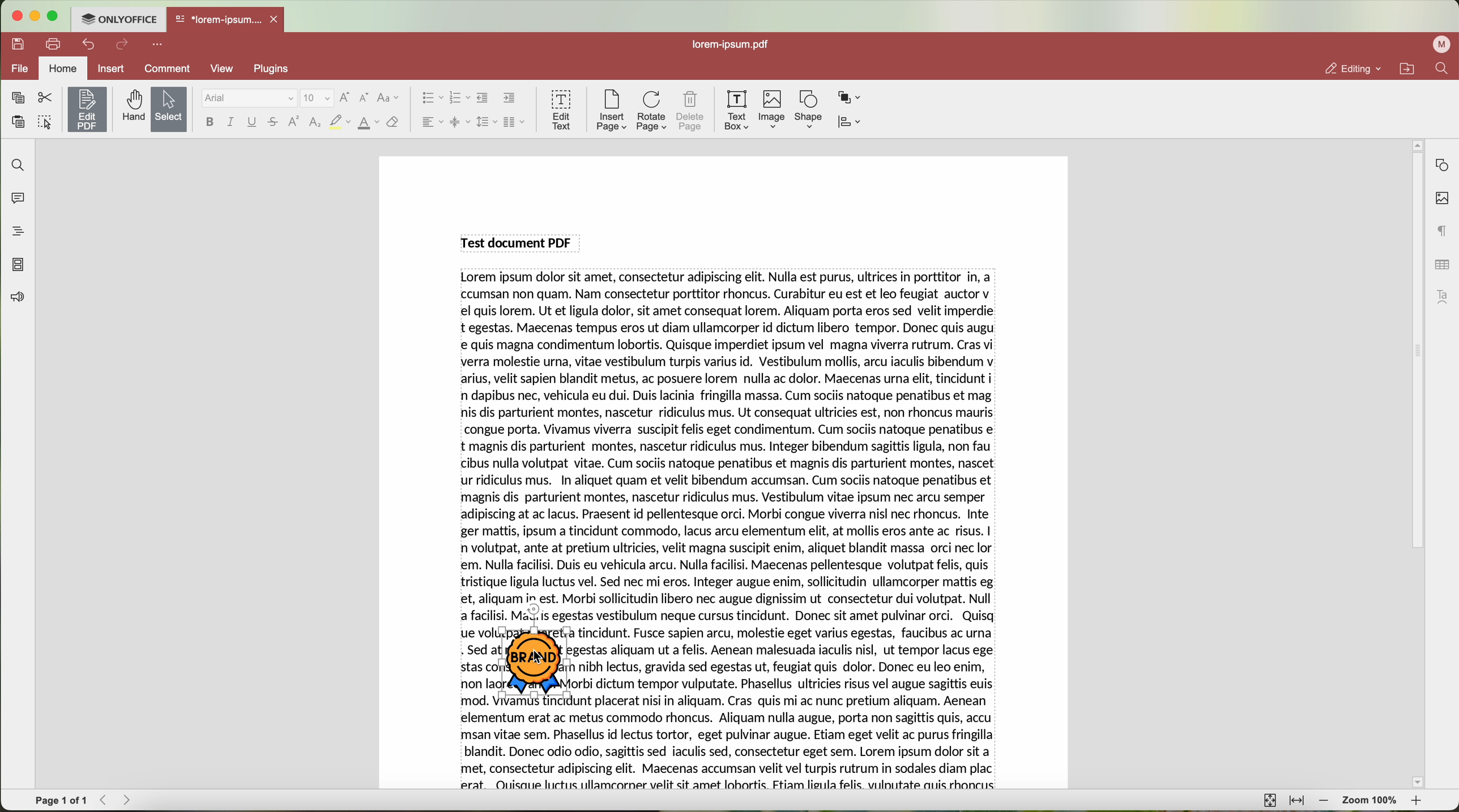  I want to click on click on edit PDF, so click(88, 111).